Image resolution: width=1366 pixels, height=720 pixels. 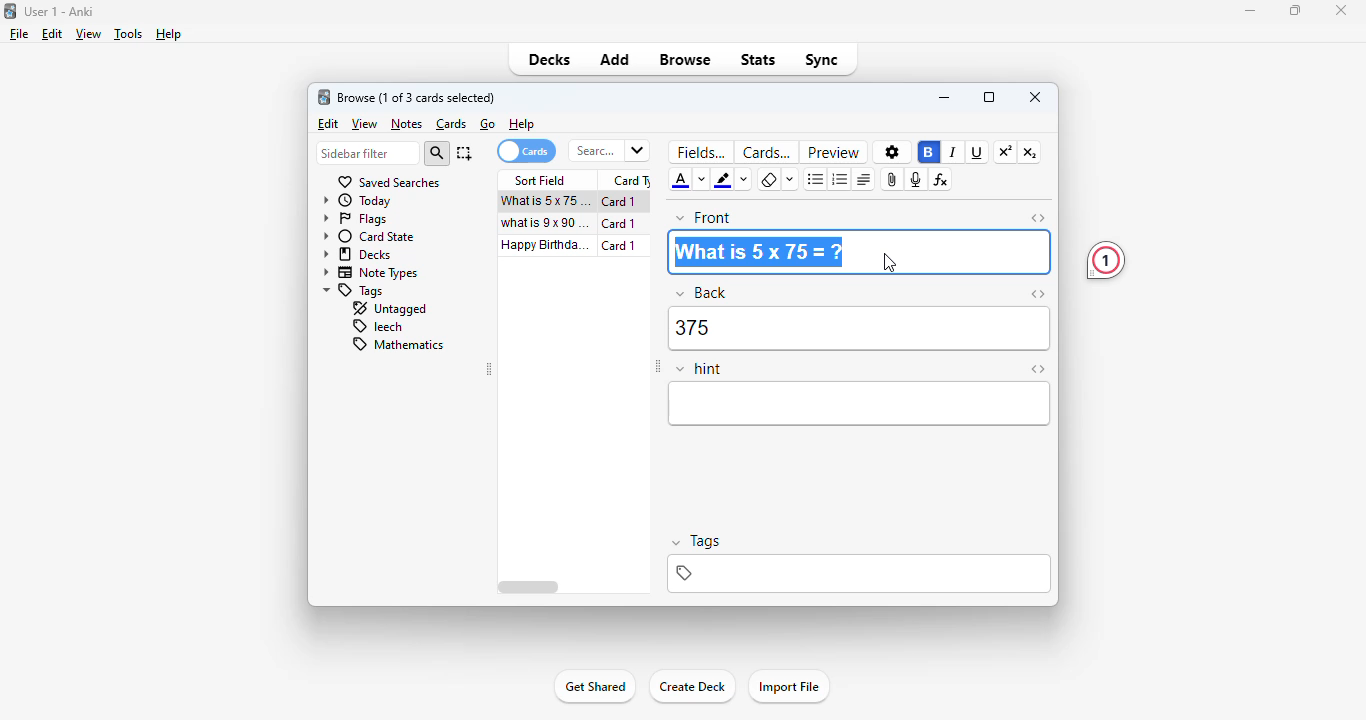 What do you see at coordinates (10, 11) in the screenshot?
I see `logo` at bounding box center [10, 11].